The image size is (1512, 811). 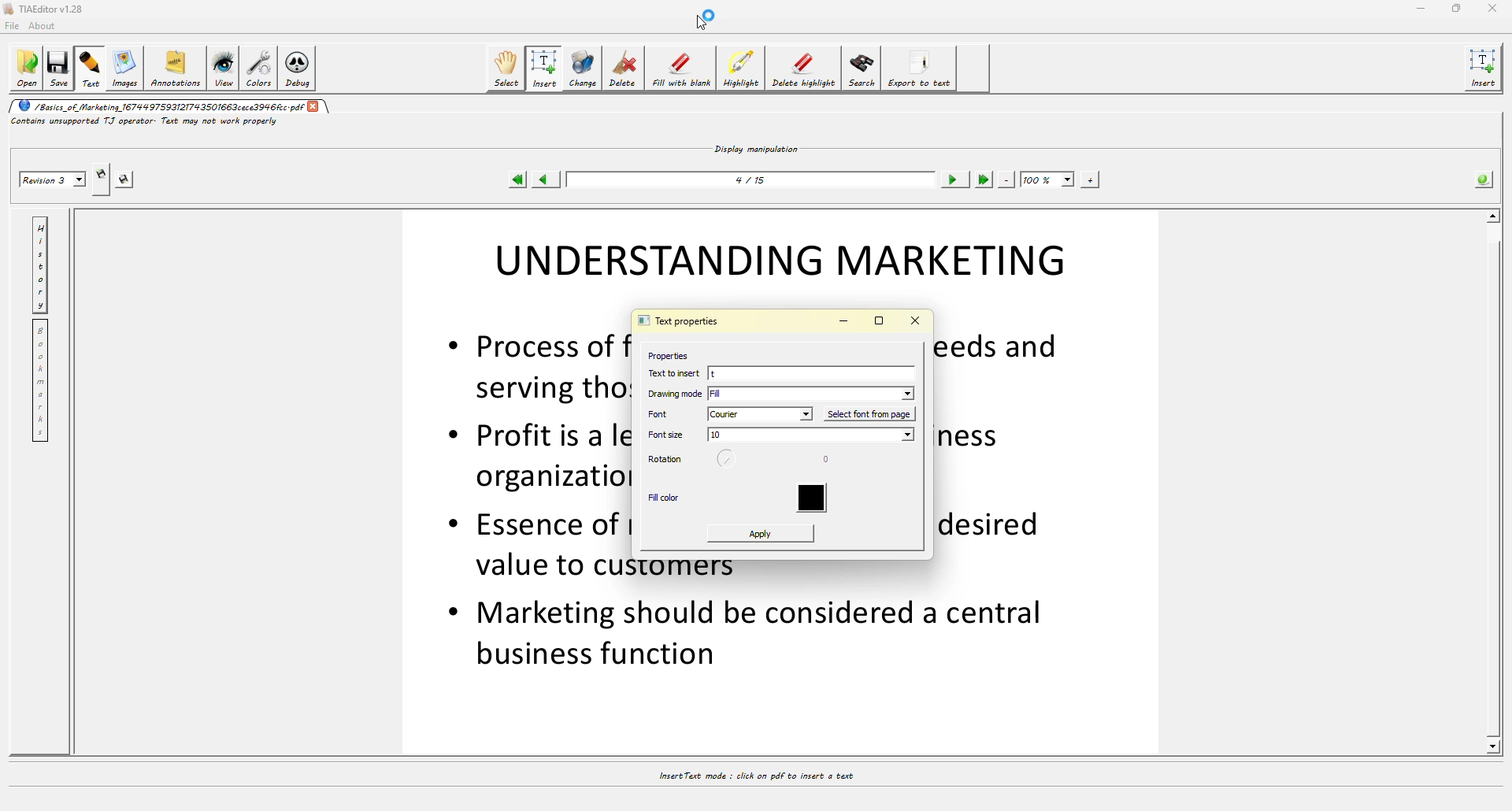 What do you see at coordinates (100, 172) in the screenshot?
I see `creates new revision` at bounding box center [100, 172].